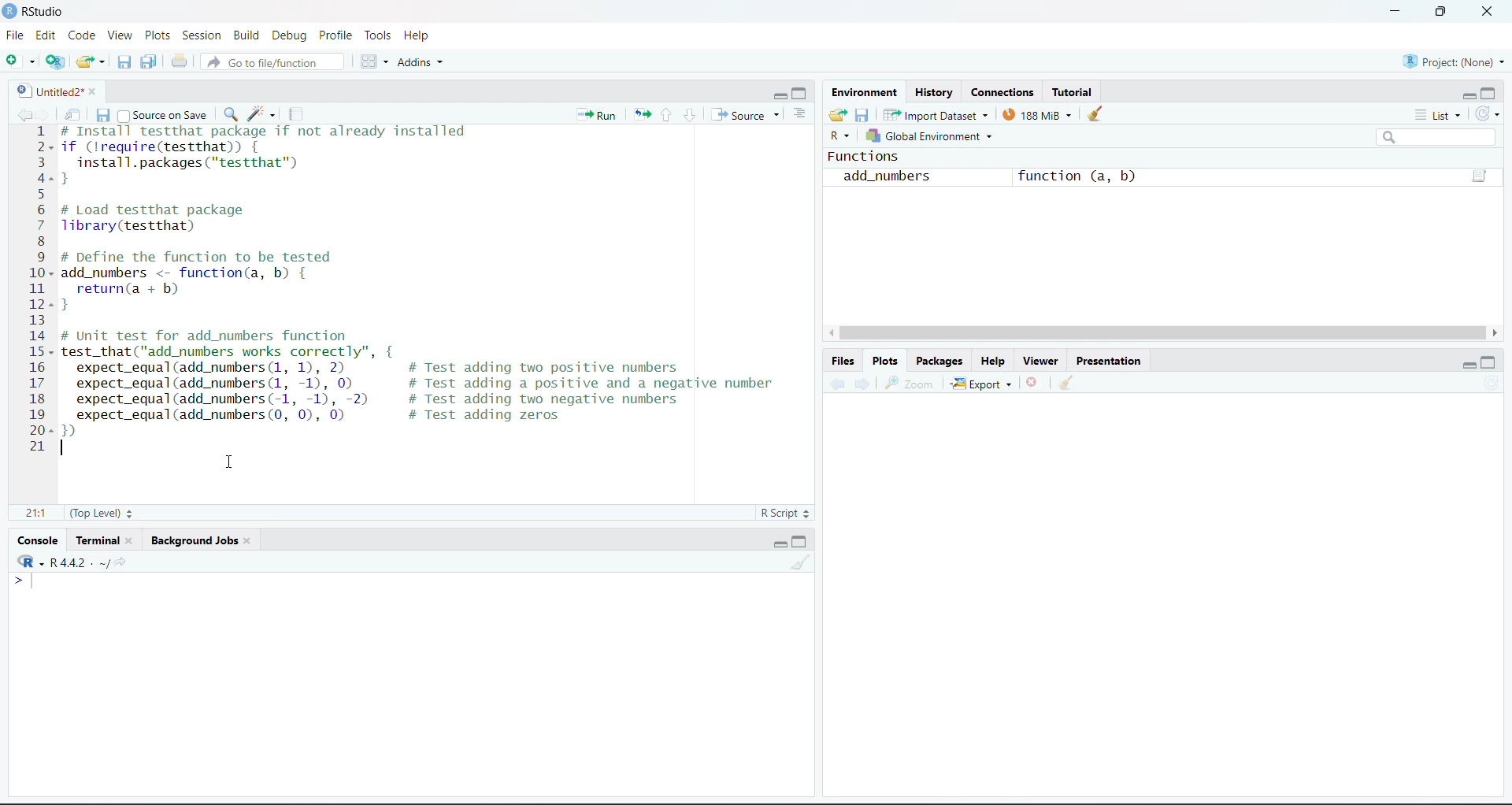 The image size is (1512, 805). I want to click on print the current file, so click(179, 62).